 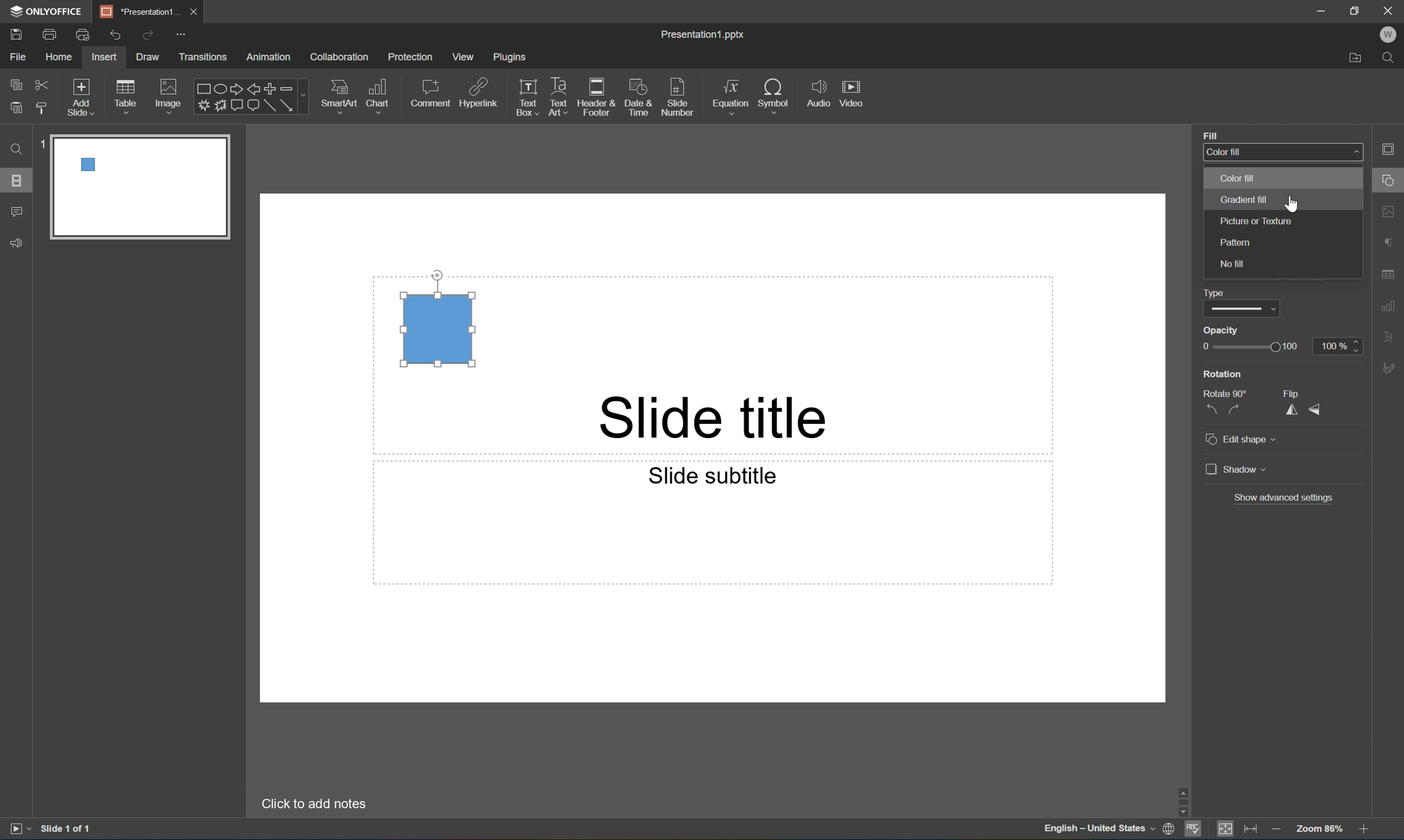 What do you see at coordinates (1361, 798) in the screenshot?
I see `Scroll Bar` at bounding box center [1361, 798].